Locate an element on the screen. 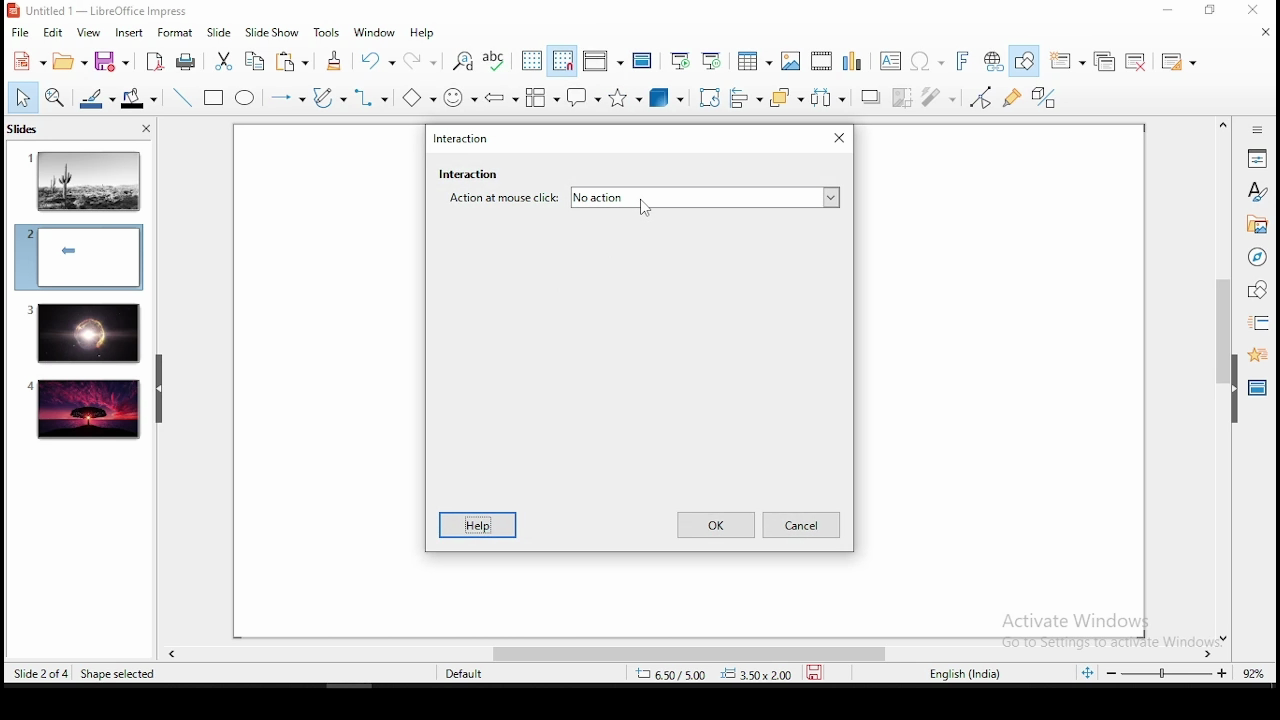 Image resolution: width=1280 pixels, height=720 pixels. animation is located at coordinates (1255, 353).